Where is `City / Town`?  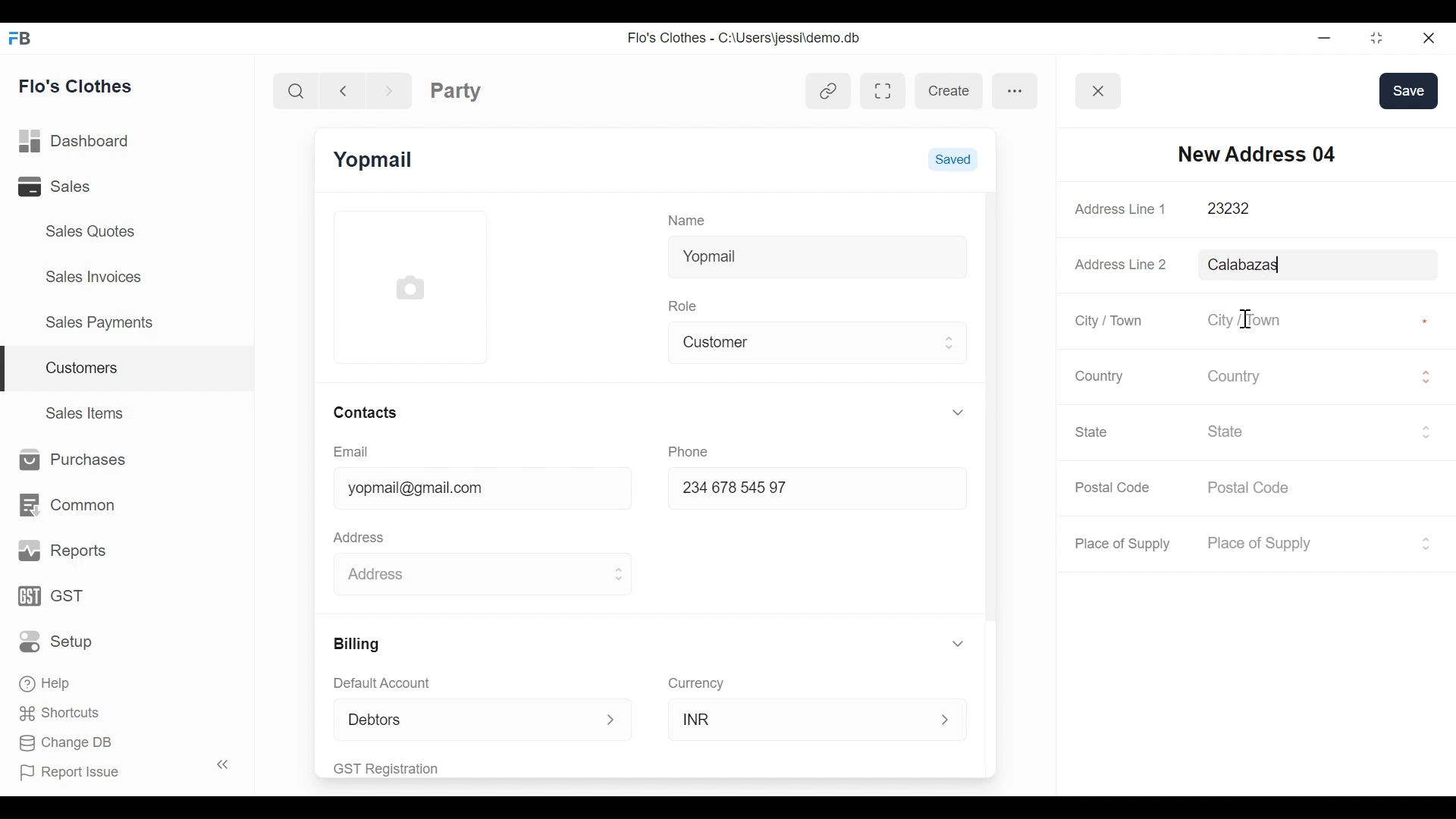
City / Town is located at coordinates (1265, 322).